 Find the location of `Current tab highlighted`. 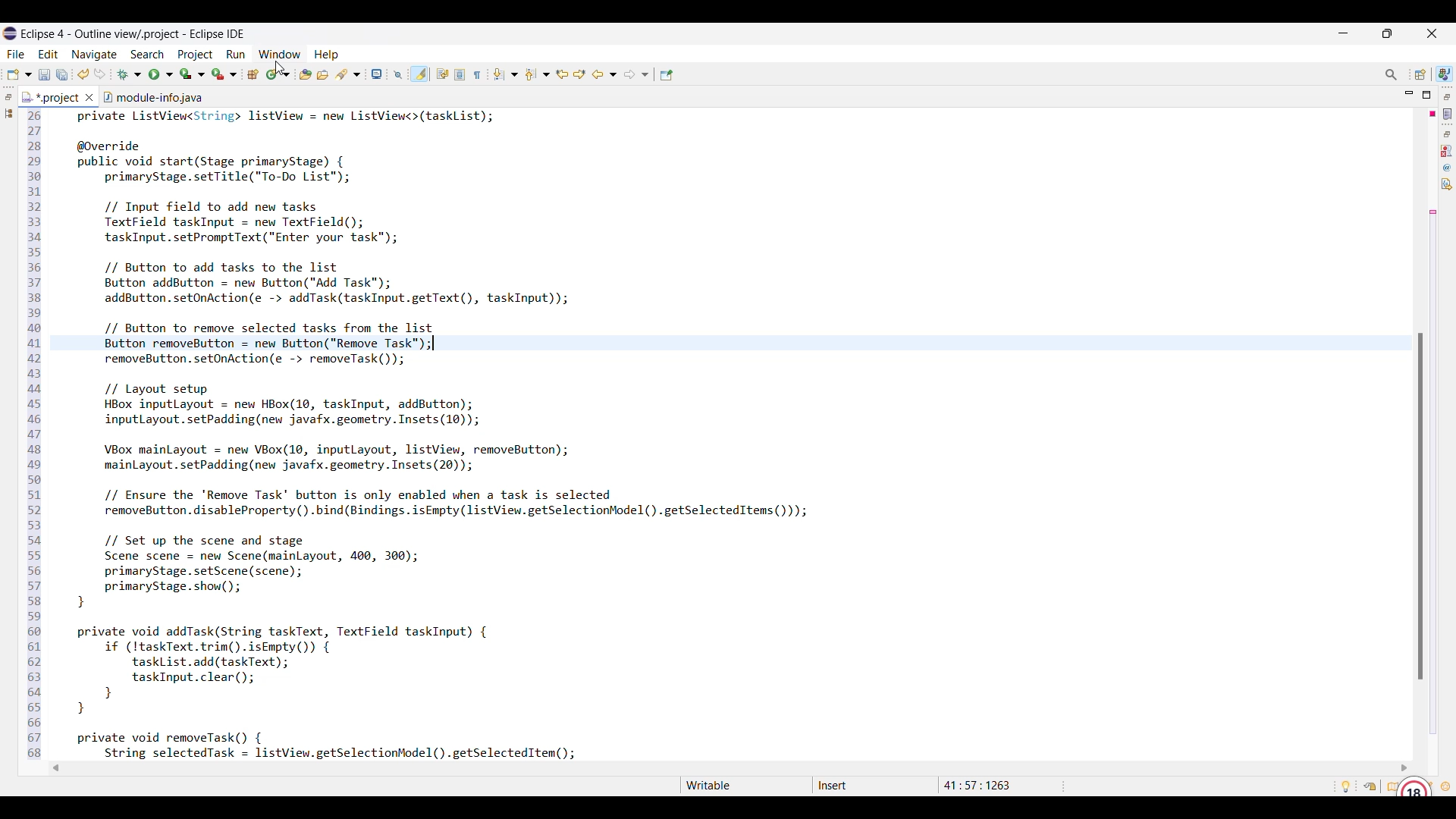

Current tab highlighted is located at coordinates (51, 96).